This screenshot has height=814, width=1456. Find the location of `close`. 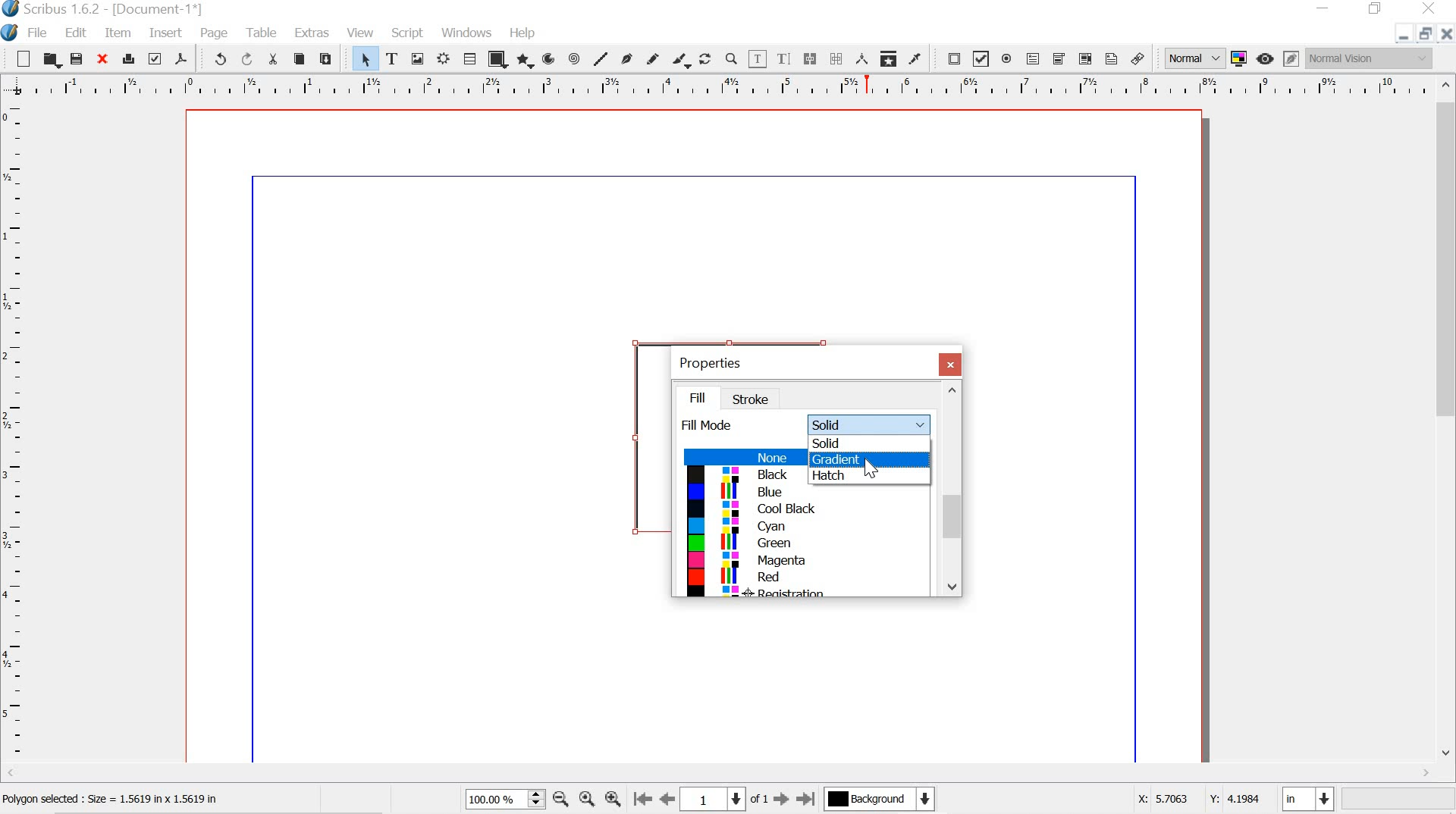

close is located at coordinates (105, 60).